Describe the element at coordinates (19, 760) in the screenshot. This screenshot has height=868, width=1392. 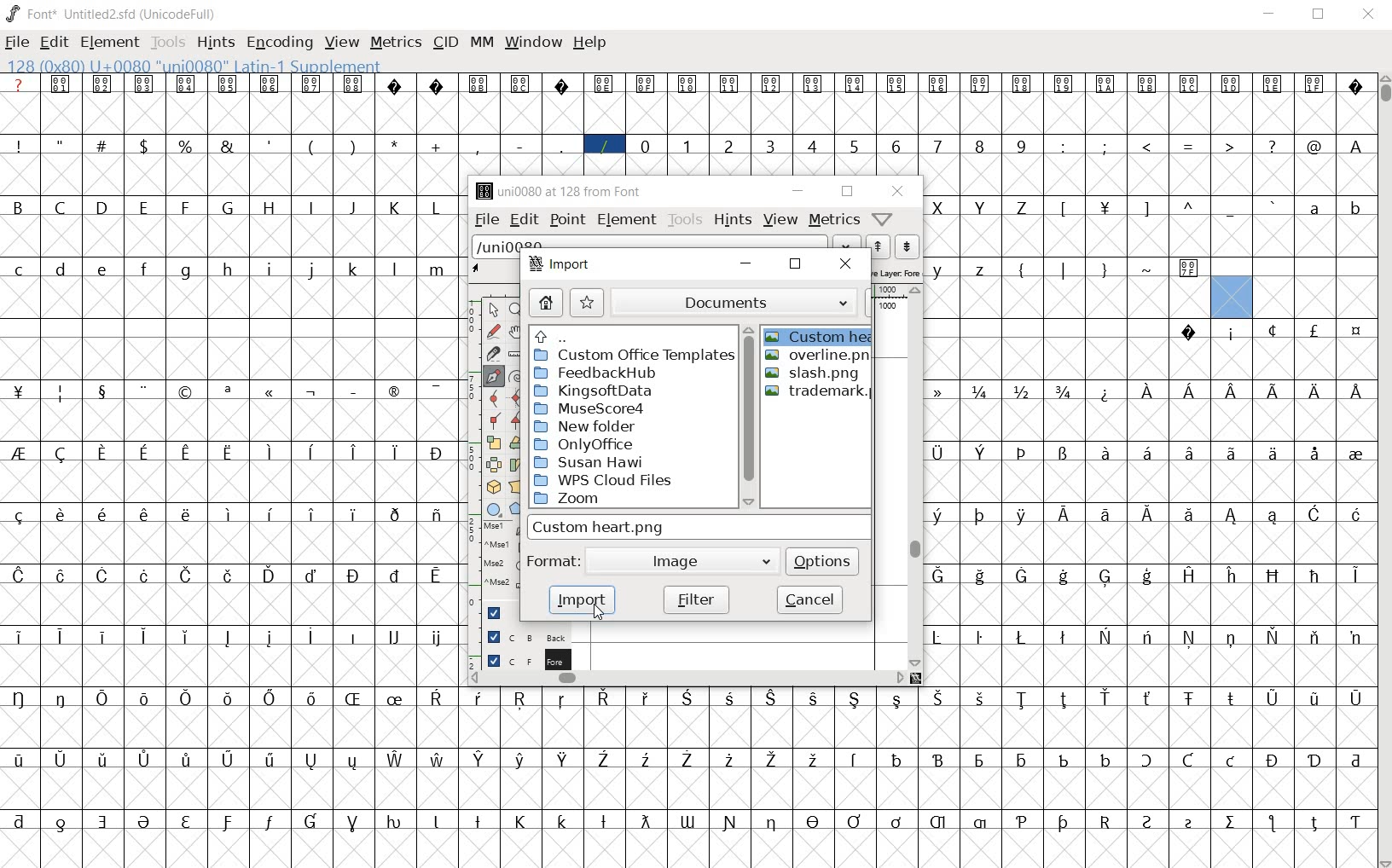
I see `glyph` at that location.